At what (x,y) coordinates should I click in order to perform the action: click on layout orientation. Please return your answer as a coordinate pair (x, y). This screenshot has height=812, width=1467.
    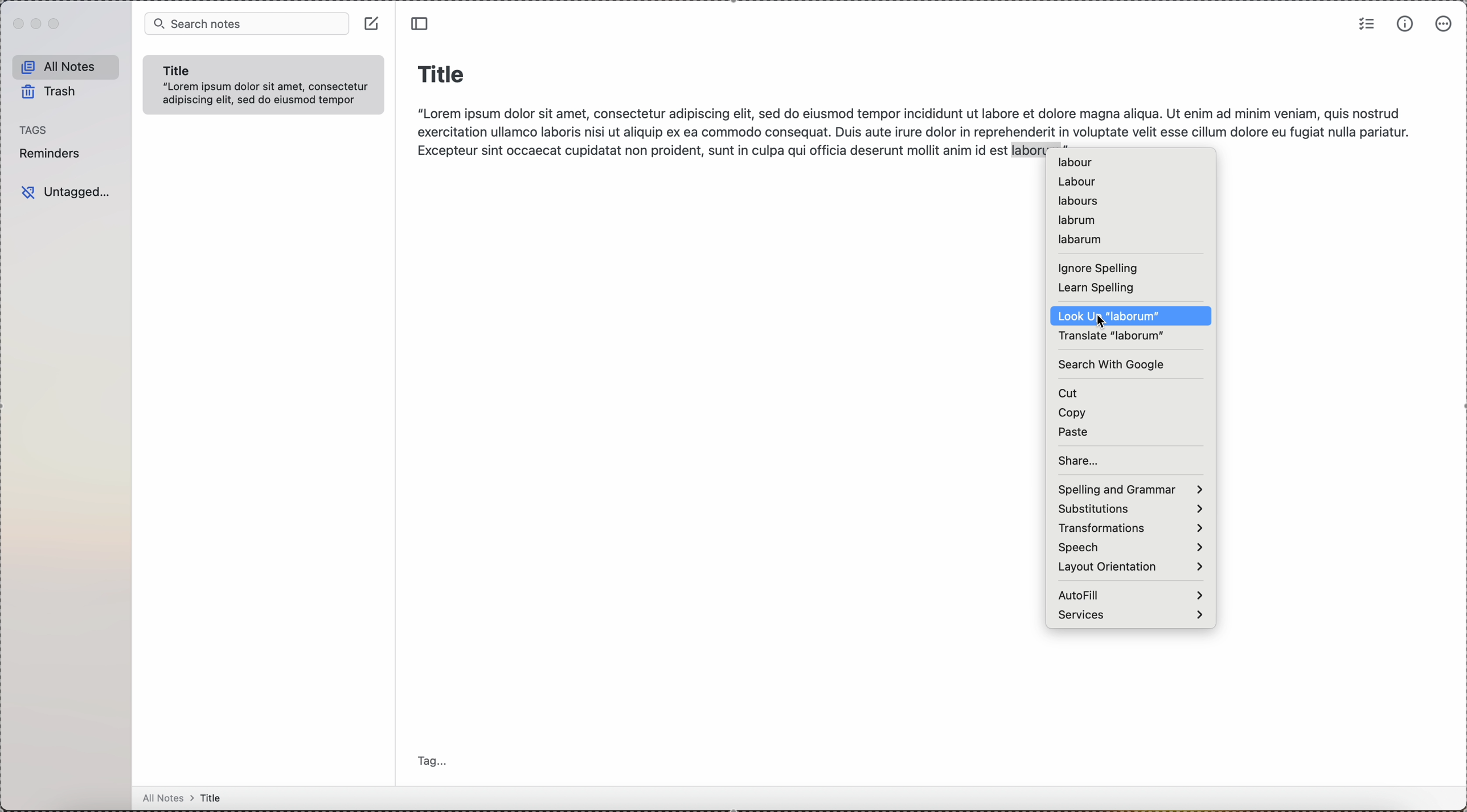
    Looking at the image, I should click on (1129, 568).